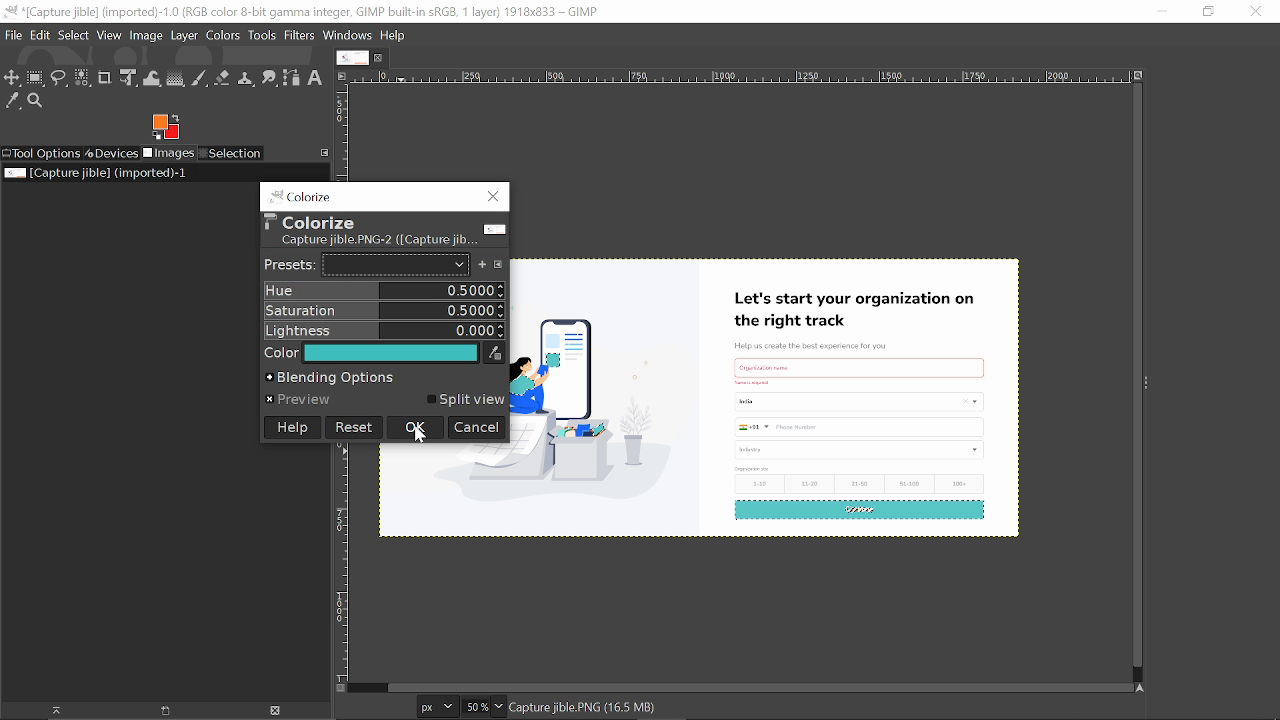 The height and width of the screenshot is (720, 1280). I want to click on Eraser tool, so click(222, 78).